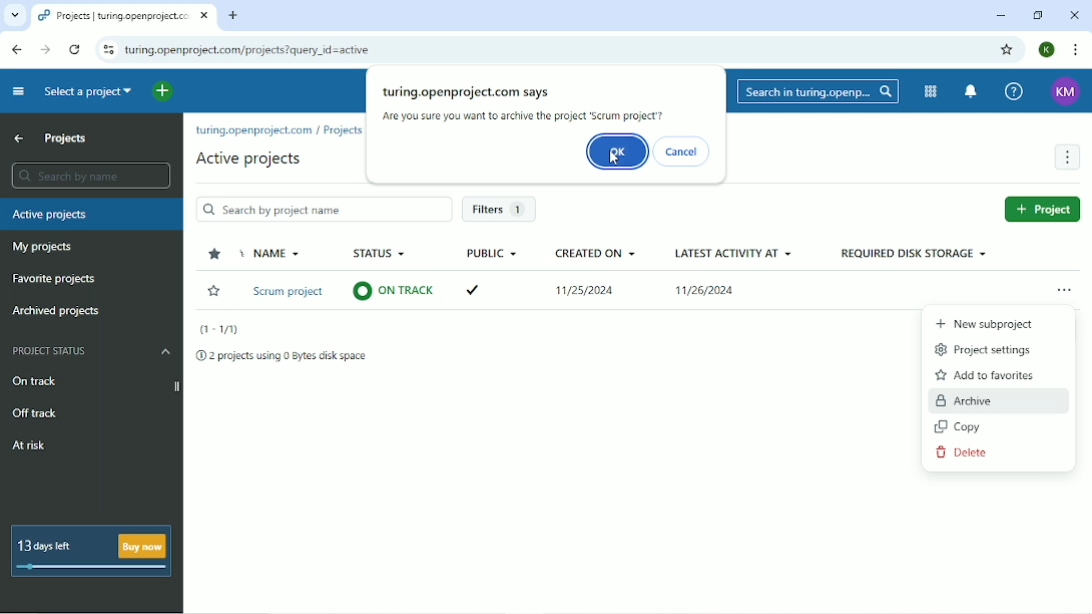 The image size is (1092, 614). What do you see at coordinates (1074, 15) in the screenshot?
I see `Close` at bounding box center [1074, 15].